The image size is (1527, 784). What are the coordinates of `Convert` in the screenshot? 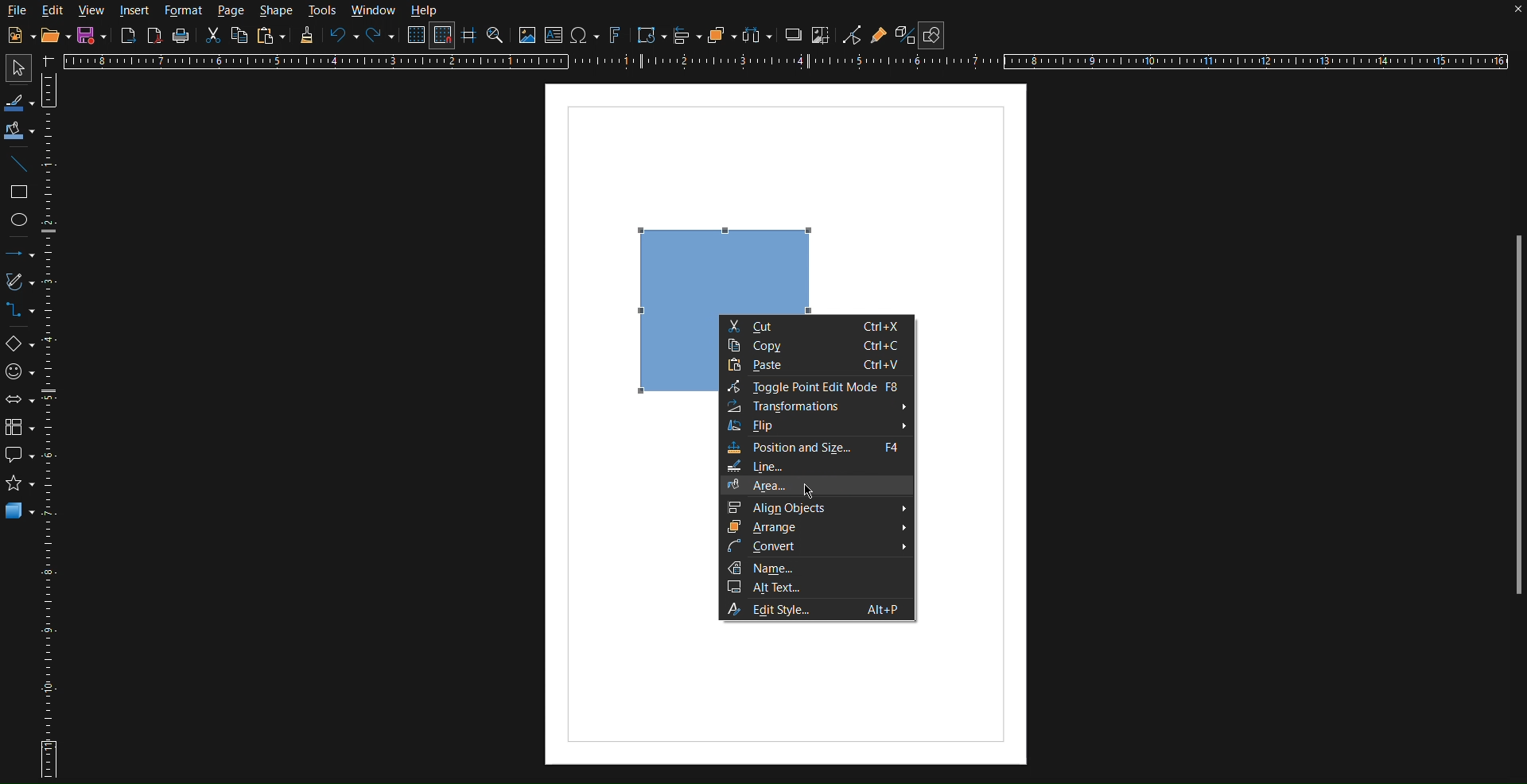 It's located at (817, 548).